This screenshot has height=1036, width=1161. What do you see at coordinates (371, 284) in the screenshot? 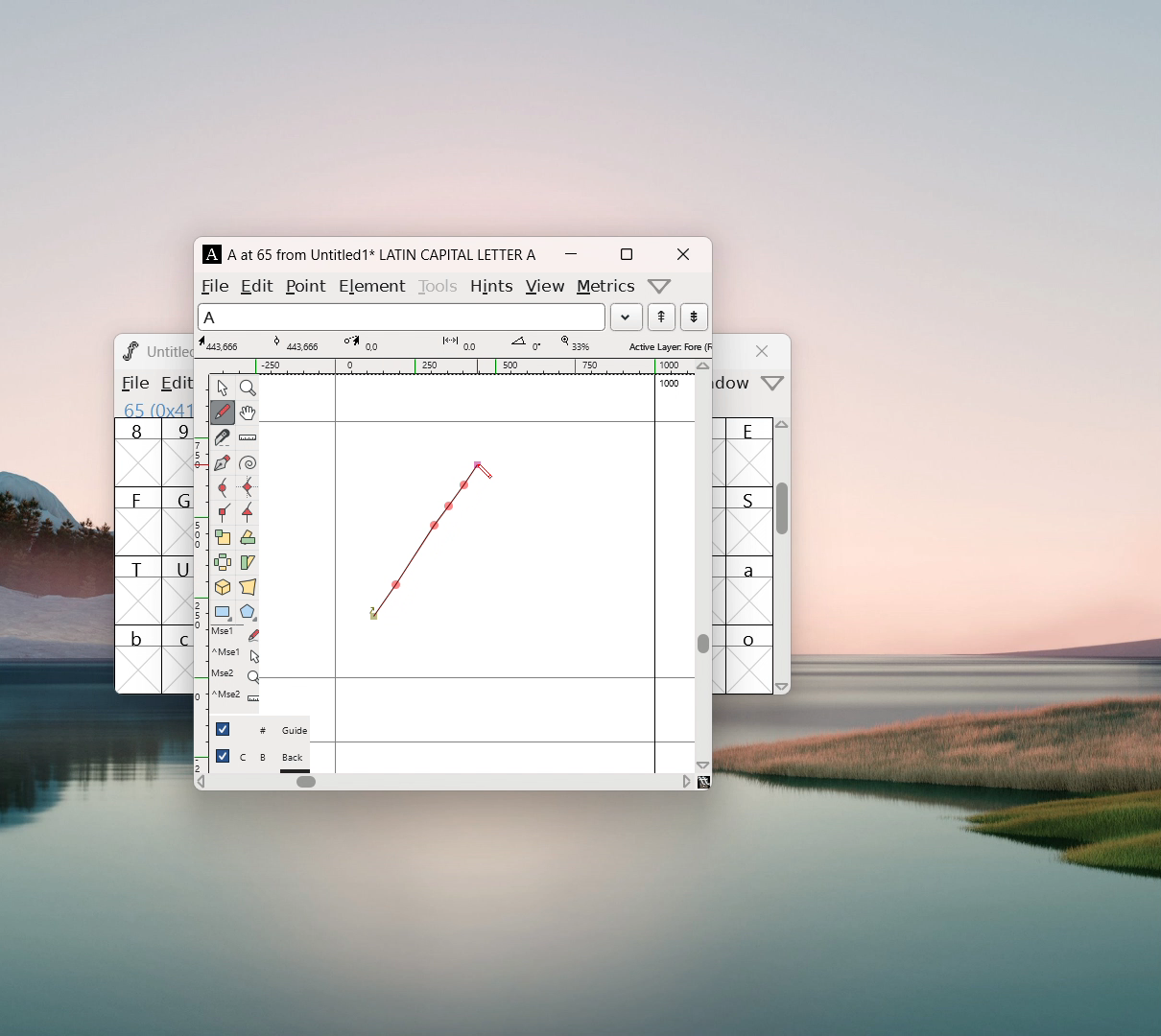
I see `element` at bounding box center [371, 284].